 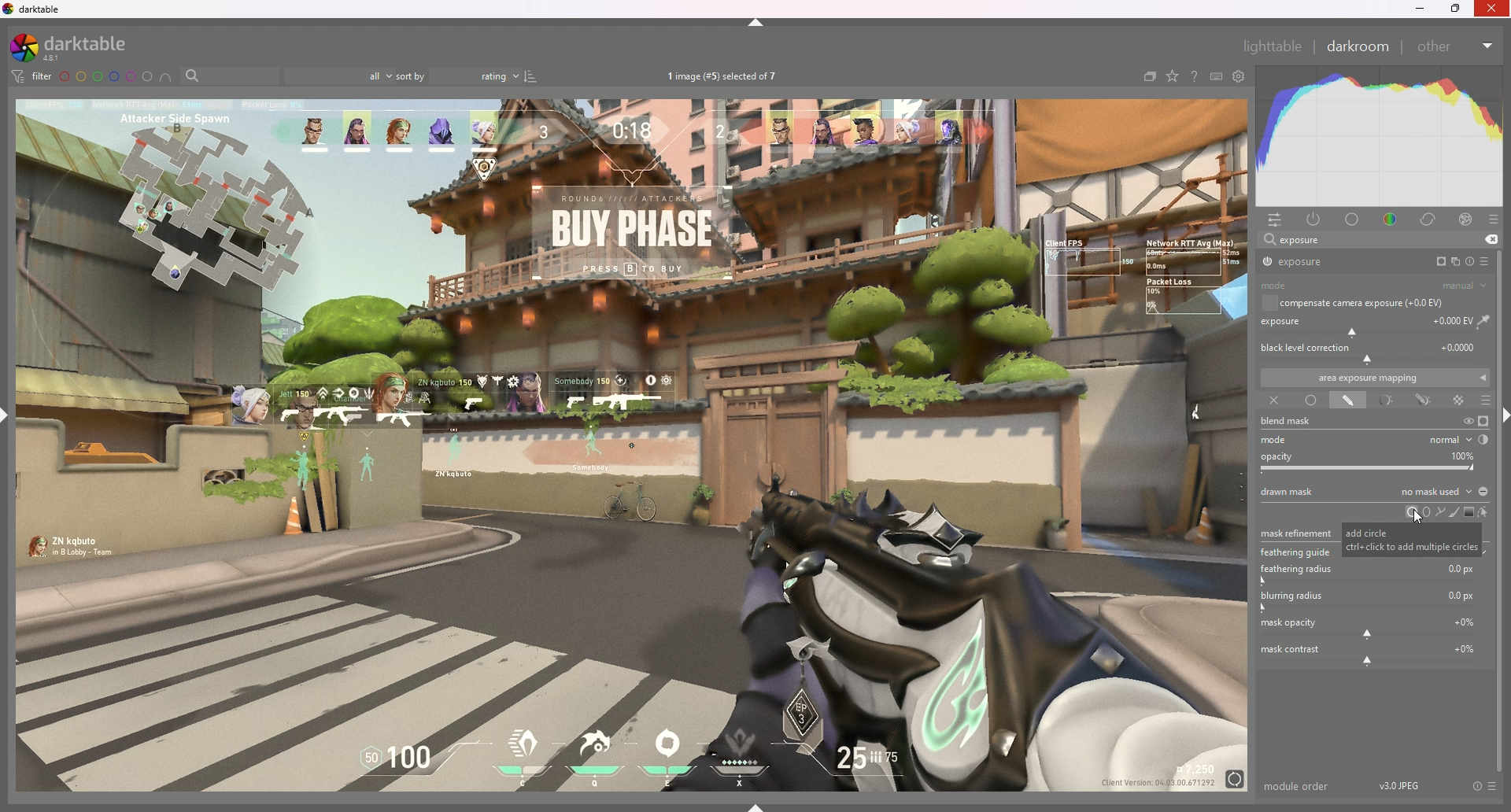 What do you see at coordinates (1300, 239) in the screenshot?
I see `exposure` at bounding box center [1300, 239].